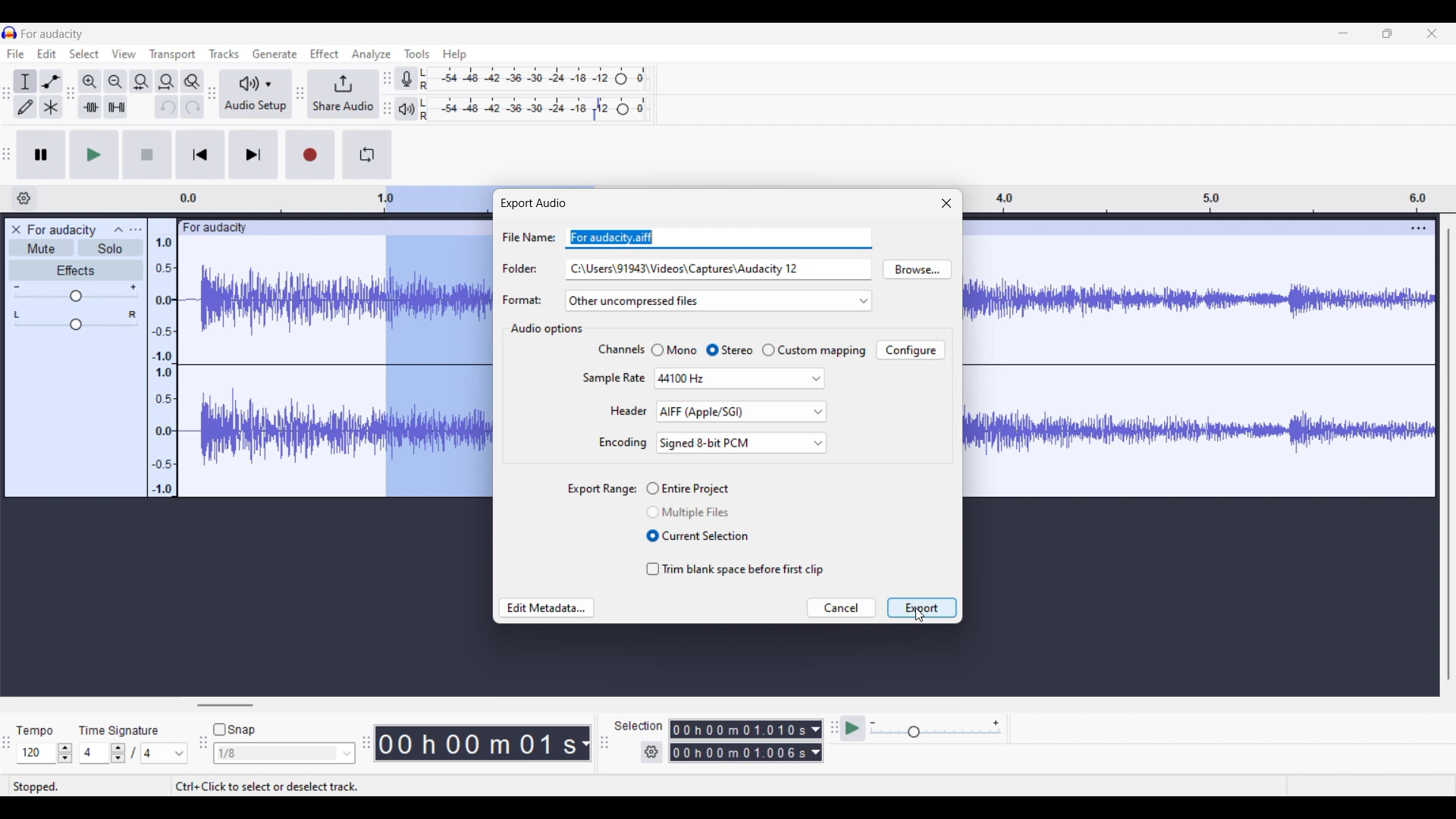 The image size is (1456, 819). What do you see at coordinates (1344, 33) in the screenshot?
I see `Minimize` at bounding box center [1344, 33].